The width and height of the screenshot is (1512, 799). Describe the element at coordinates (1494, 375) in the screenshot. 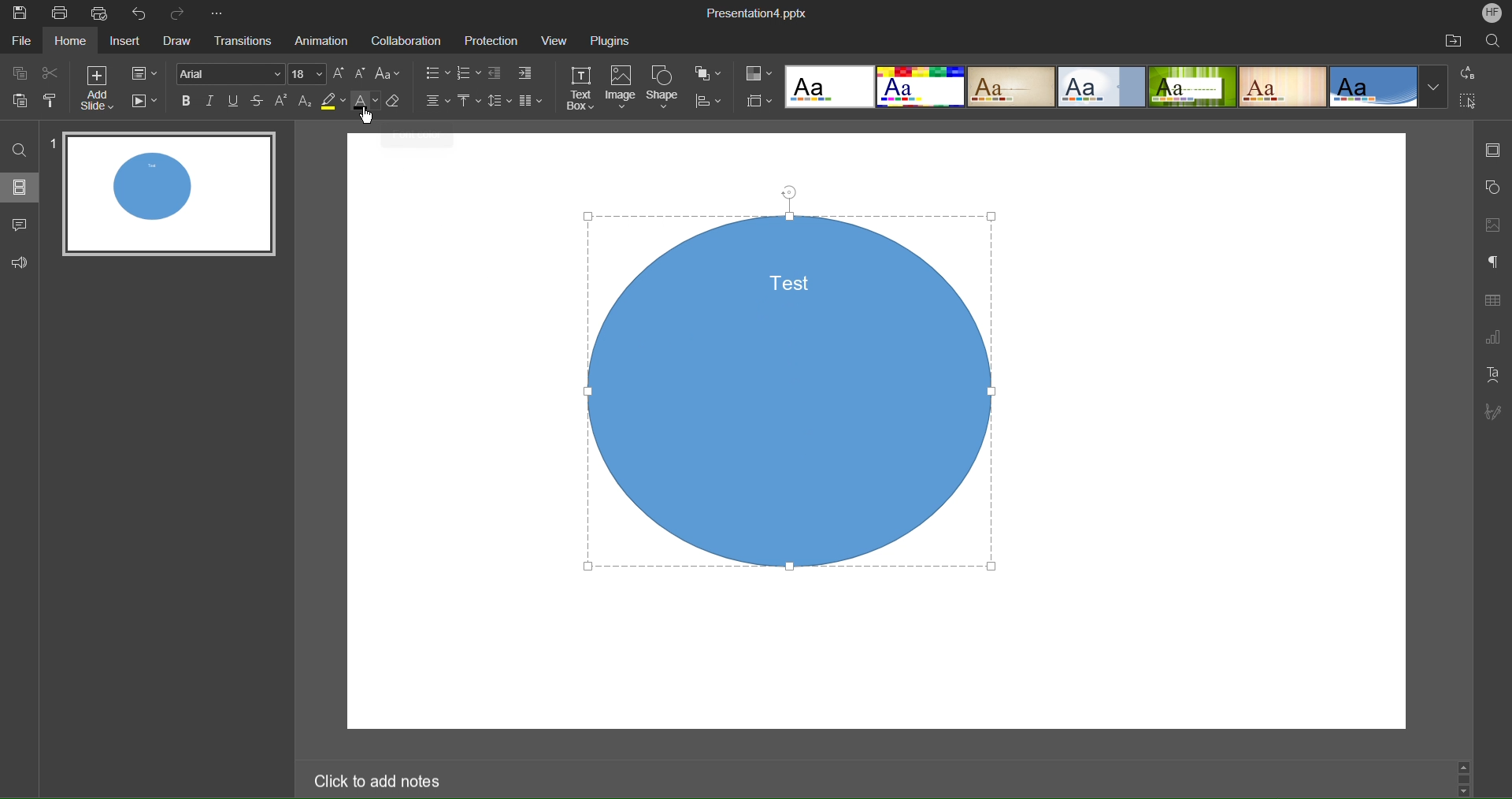

I see `Text Art` at that location.